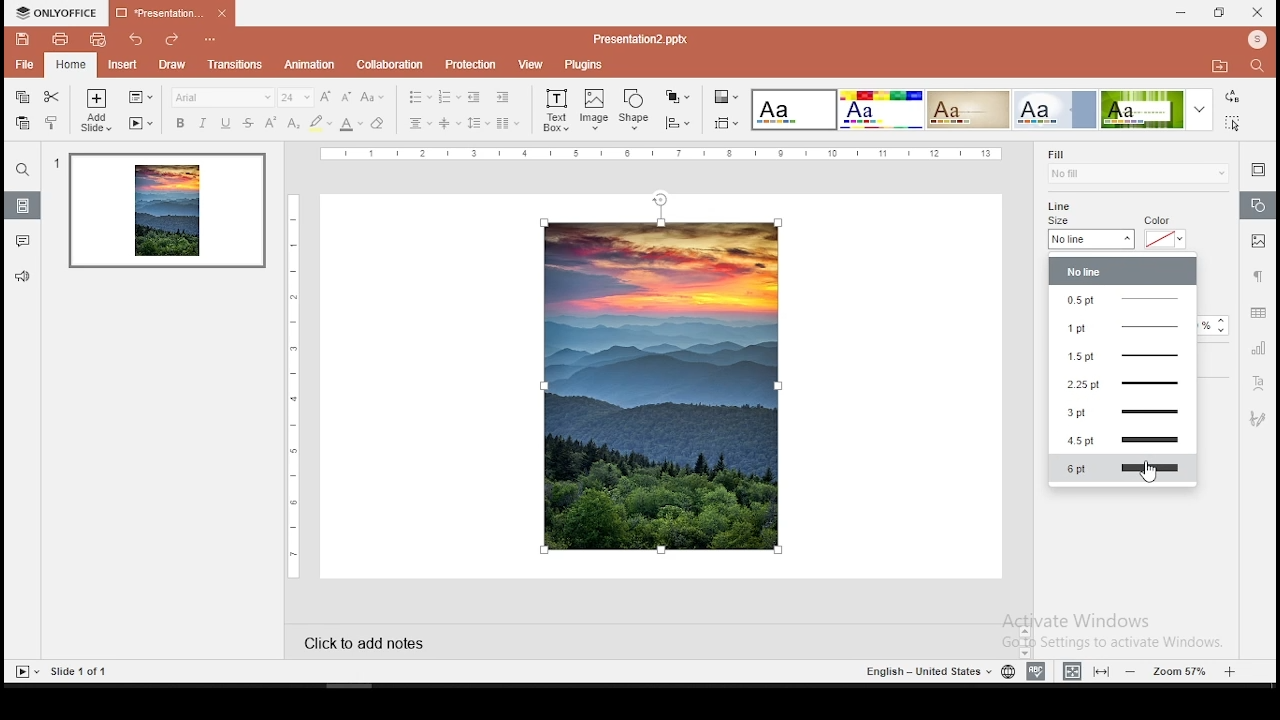 The image size is (1280, 720). Describe the element at coordinates (297, 383) in the screenshot. I see `vertical scale` at that location.